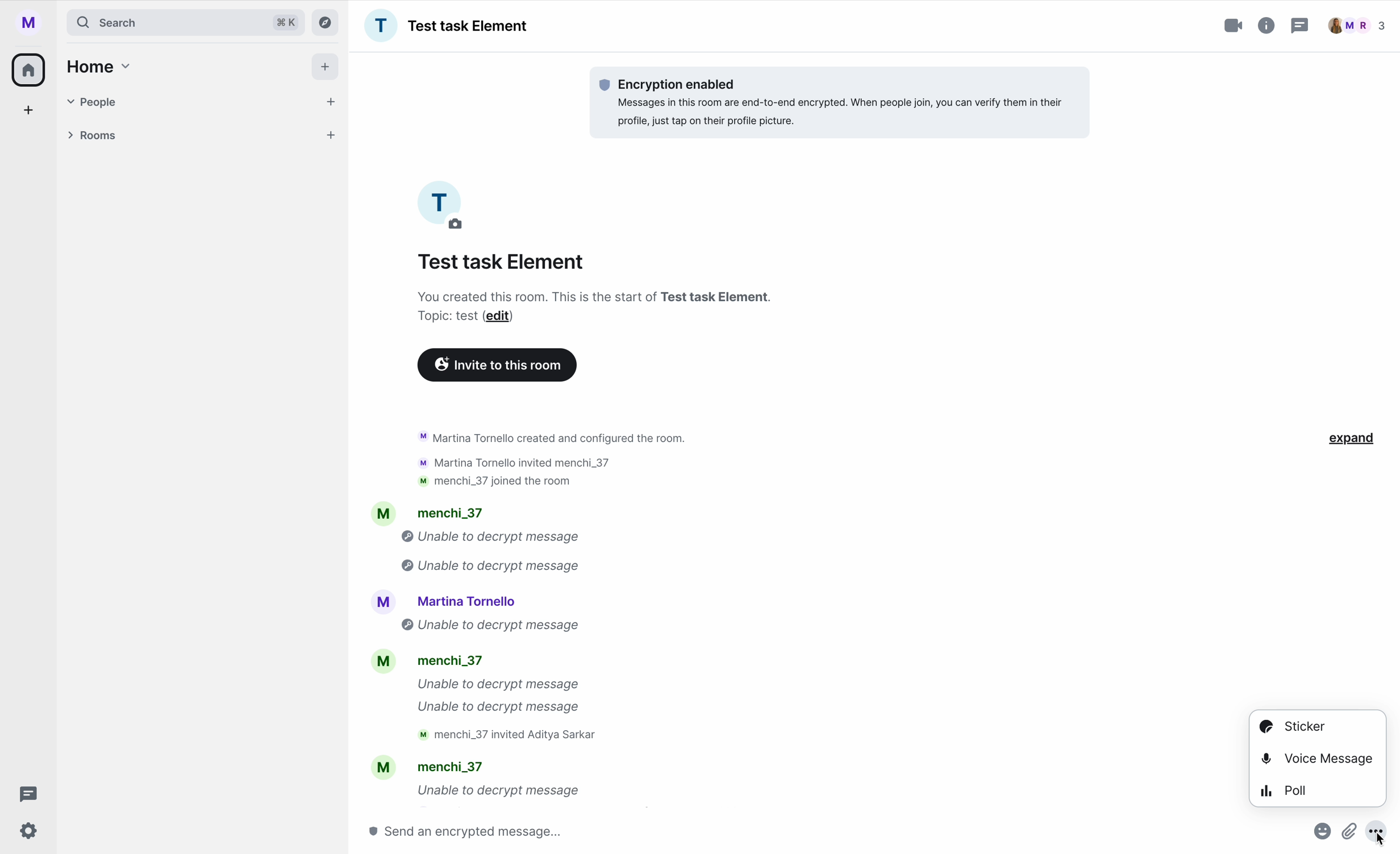  Describe the element at coordinates (446, 26) in the screenshot. I see `Test task Element` at that location.